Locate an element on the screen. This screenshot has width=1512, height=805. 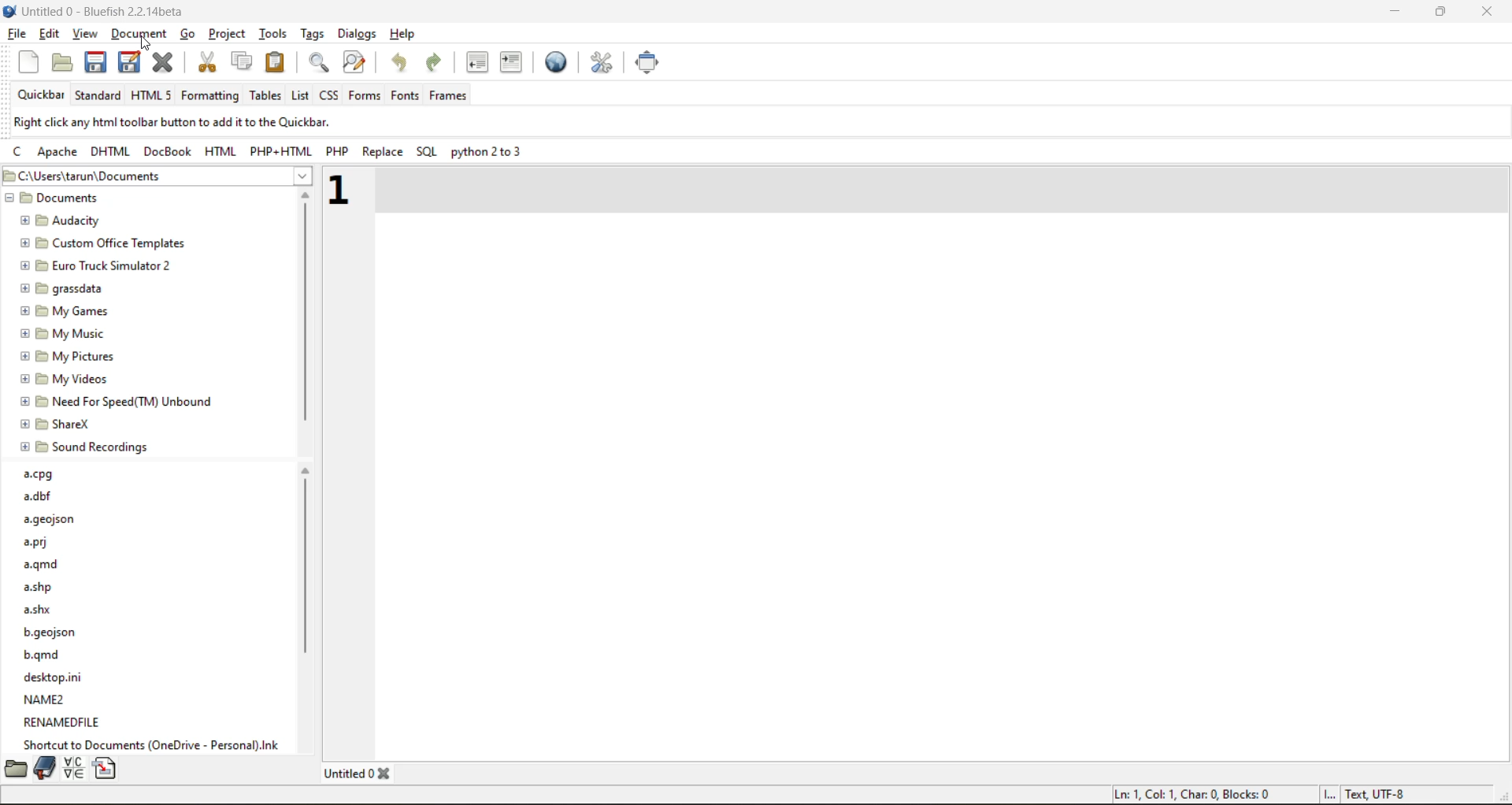
a.geojson is located at coordinates (51, 521).